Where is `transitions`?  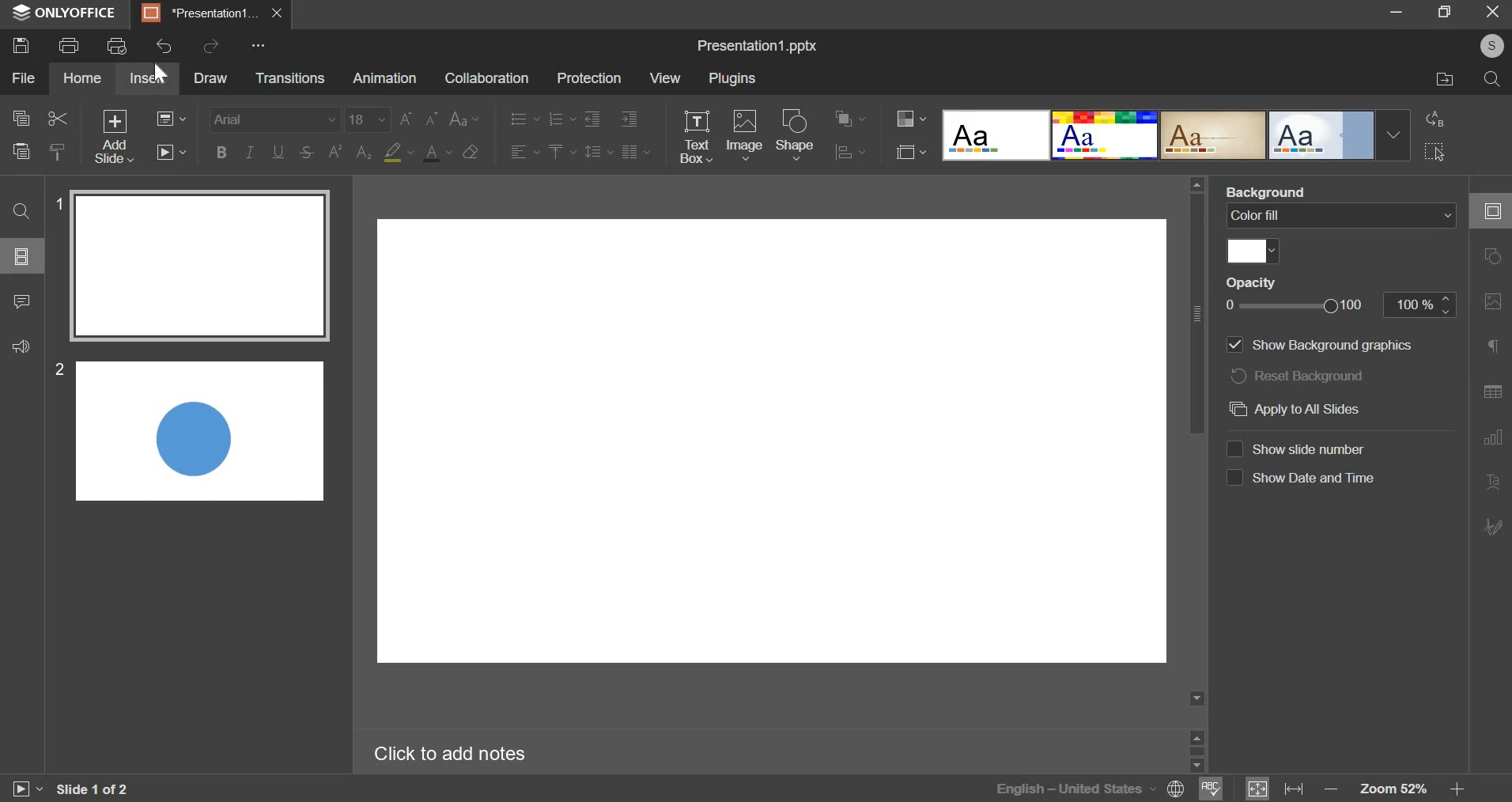
transitions is located at coordinates (287, 77).